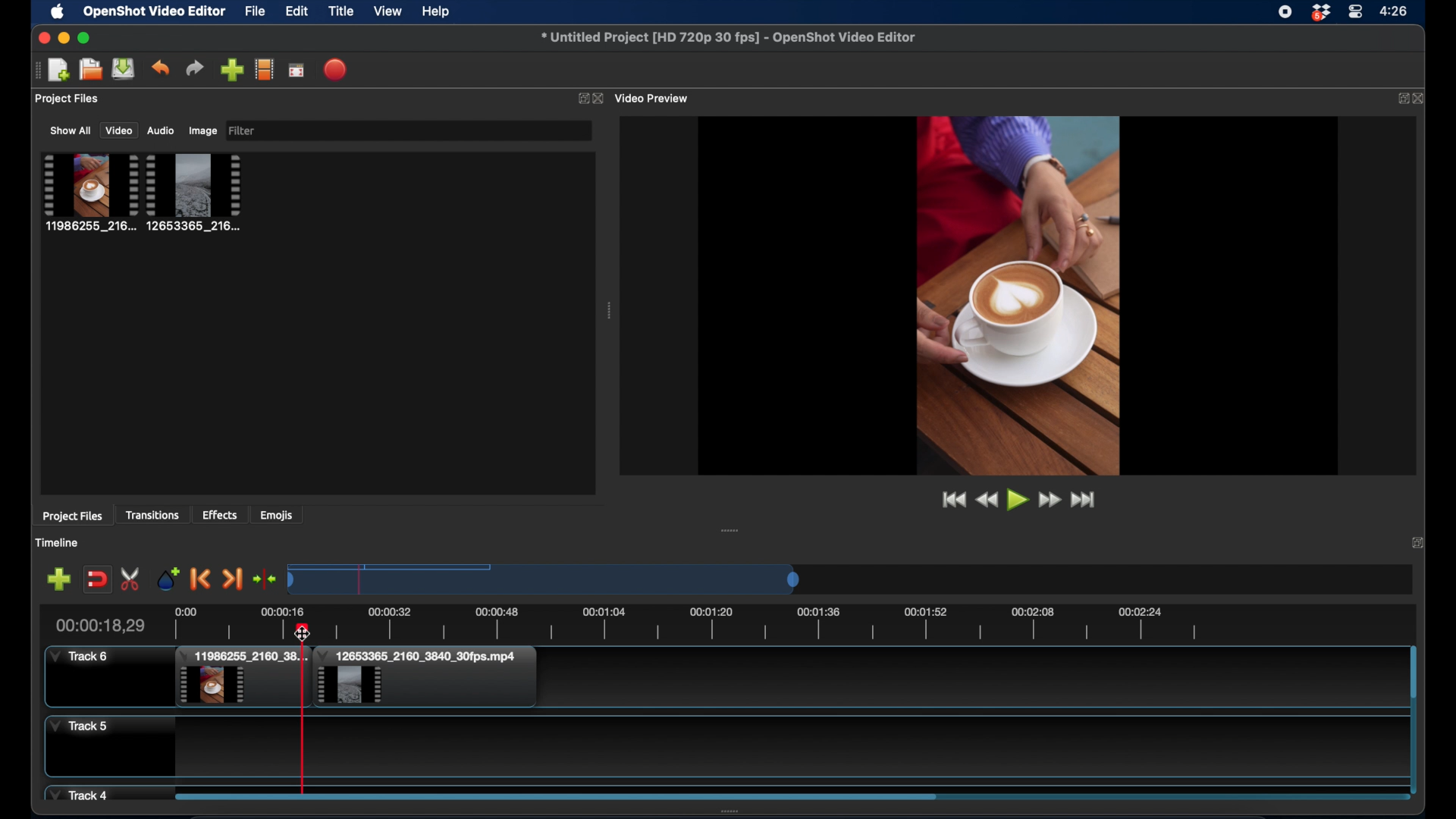  I want to click on export video, so click(336, 69).